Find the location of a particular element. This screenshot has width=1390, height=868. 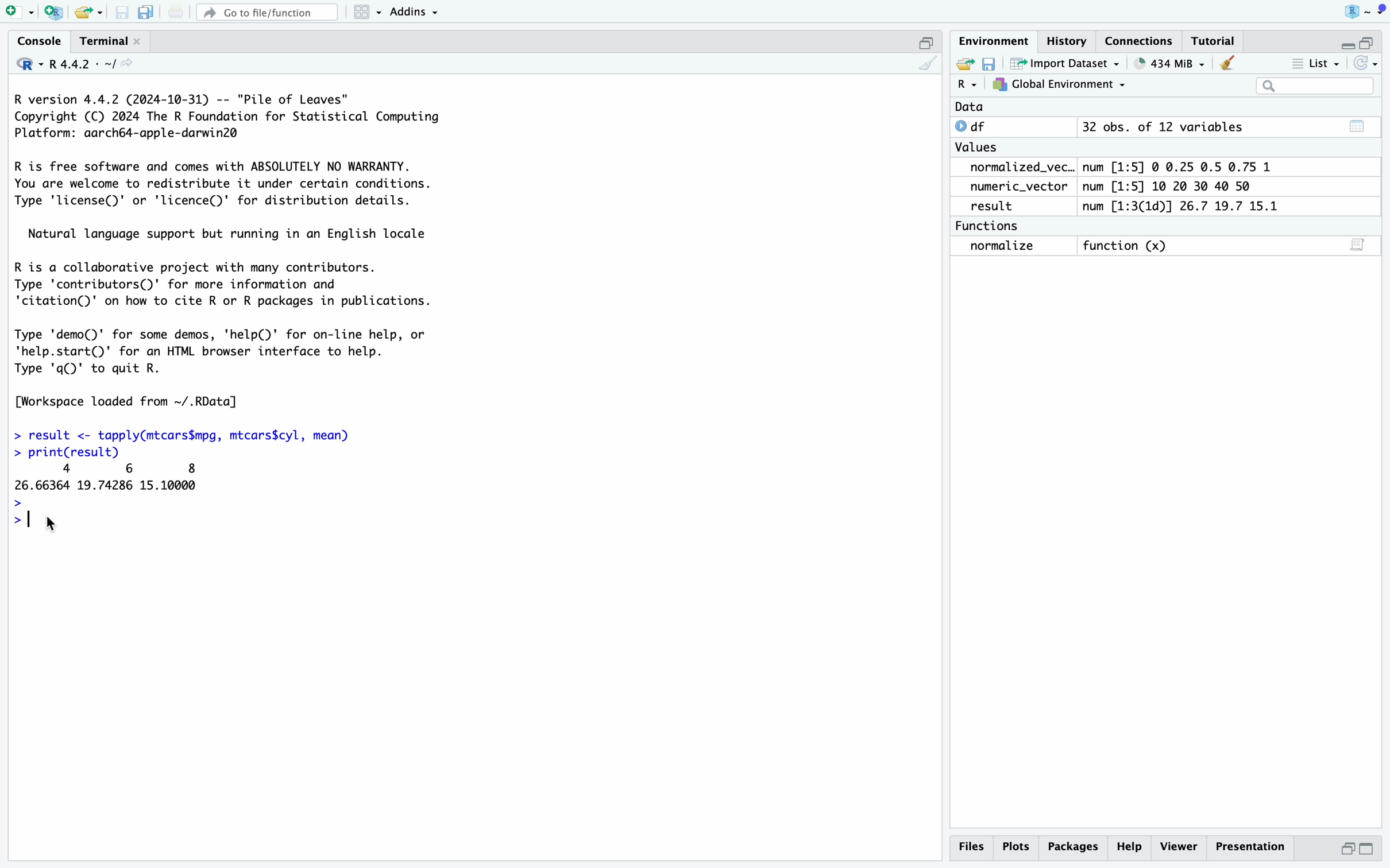

Workspace panes is located at coordinates (367, 12).